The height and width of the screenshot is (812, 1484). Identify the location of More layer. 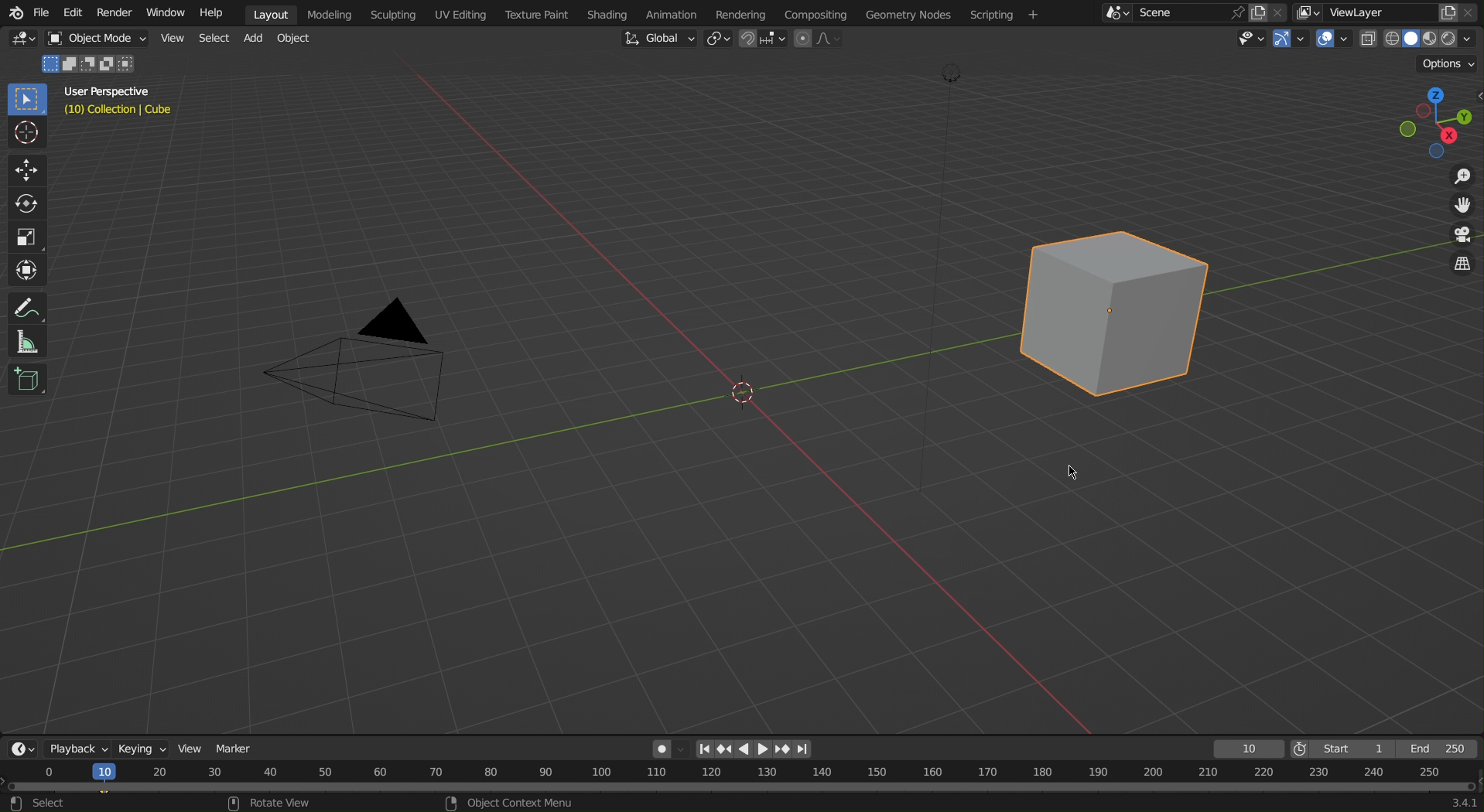
(1308, 13).